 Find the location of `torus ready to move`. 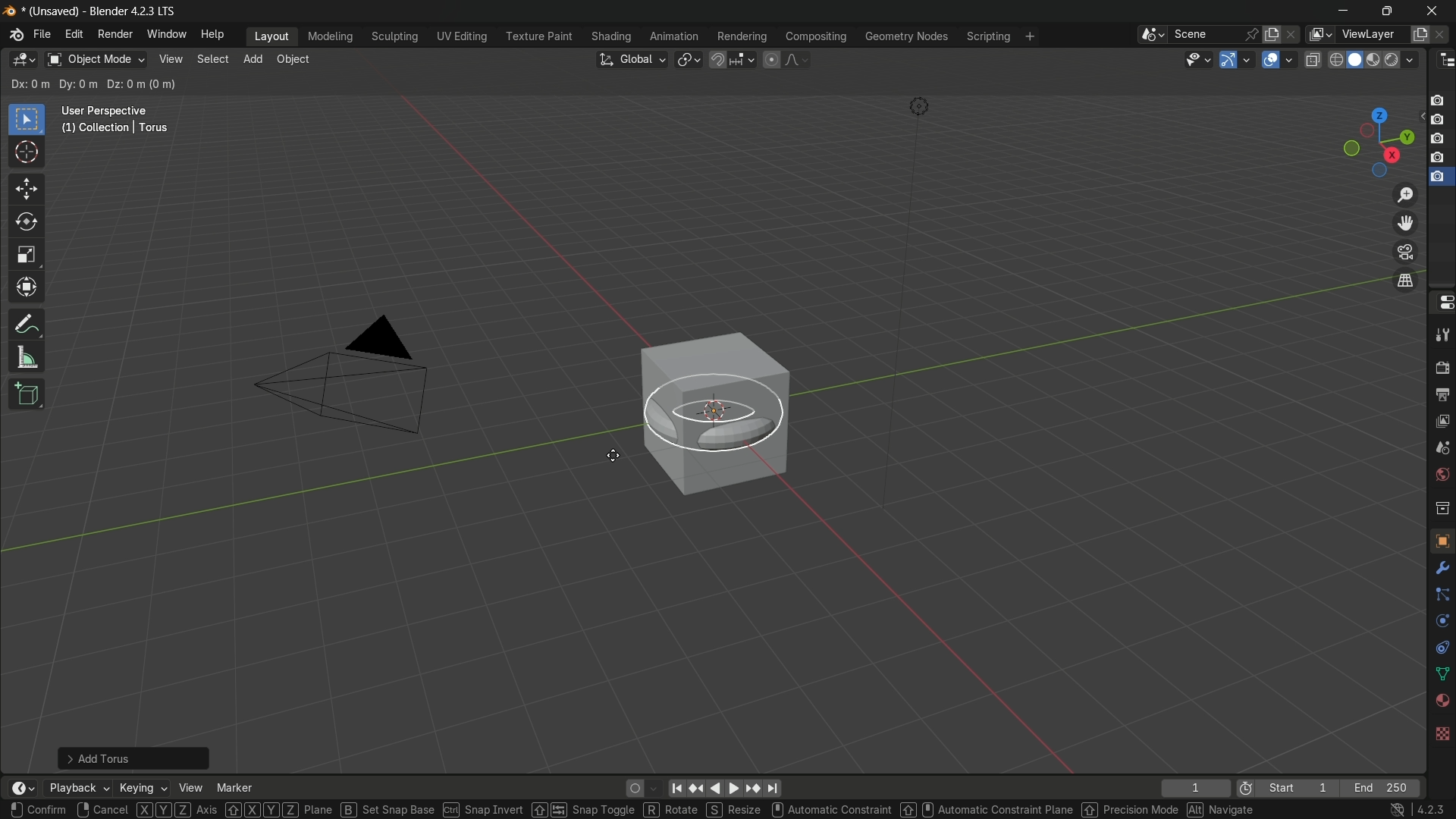

torus ready to move is located at coordinates (715, 414).